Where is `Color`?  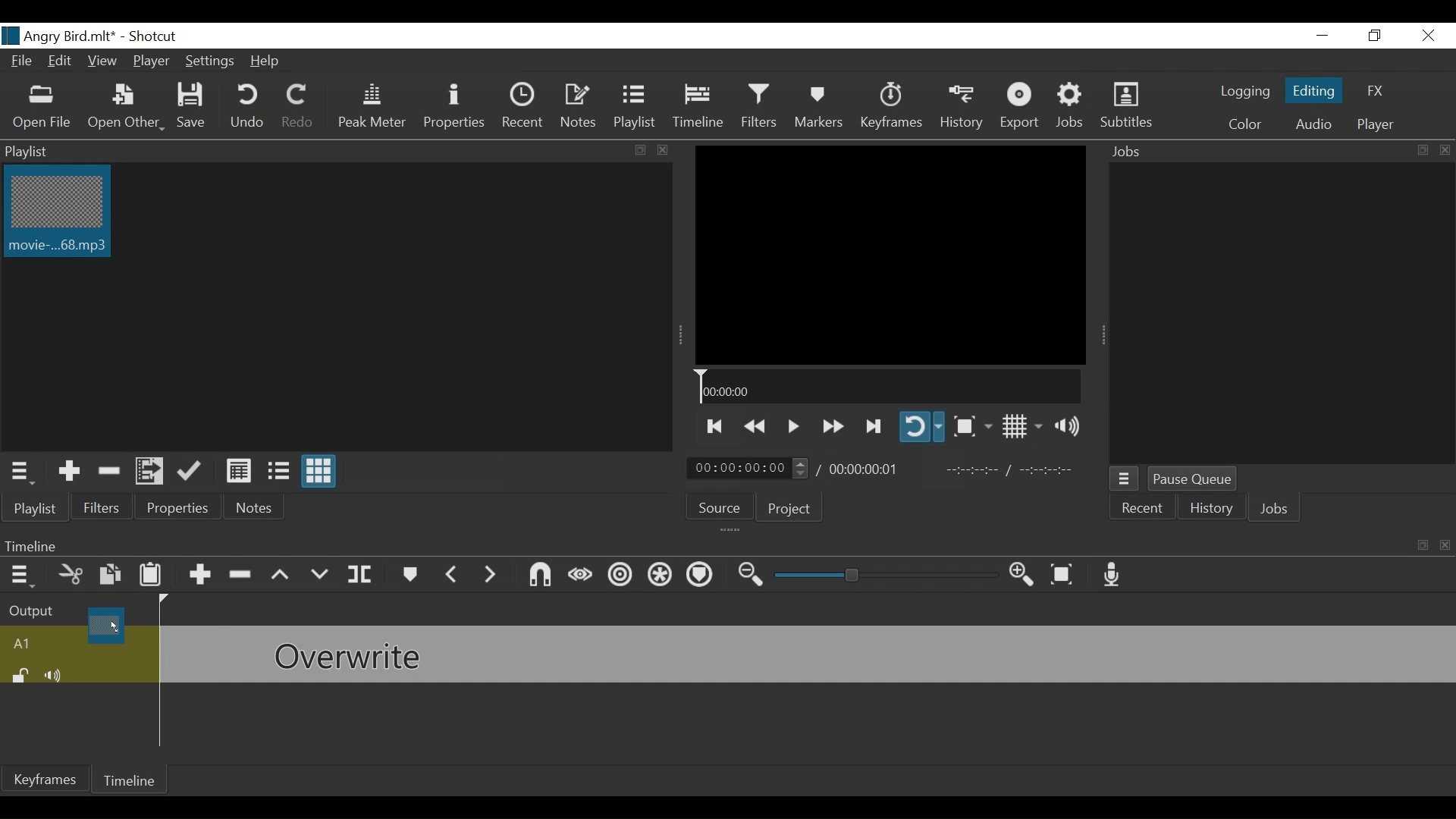 Color is located at coordinates (1244, 125).